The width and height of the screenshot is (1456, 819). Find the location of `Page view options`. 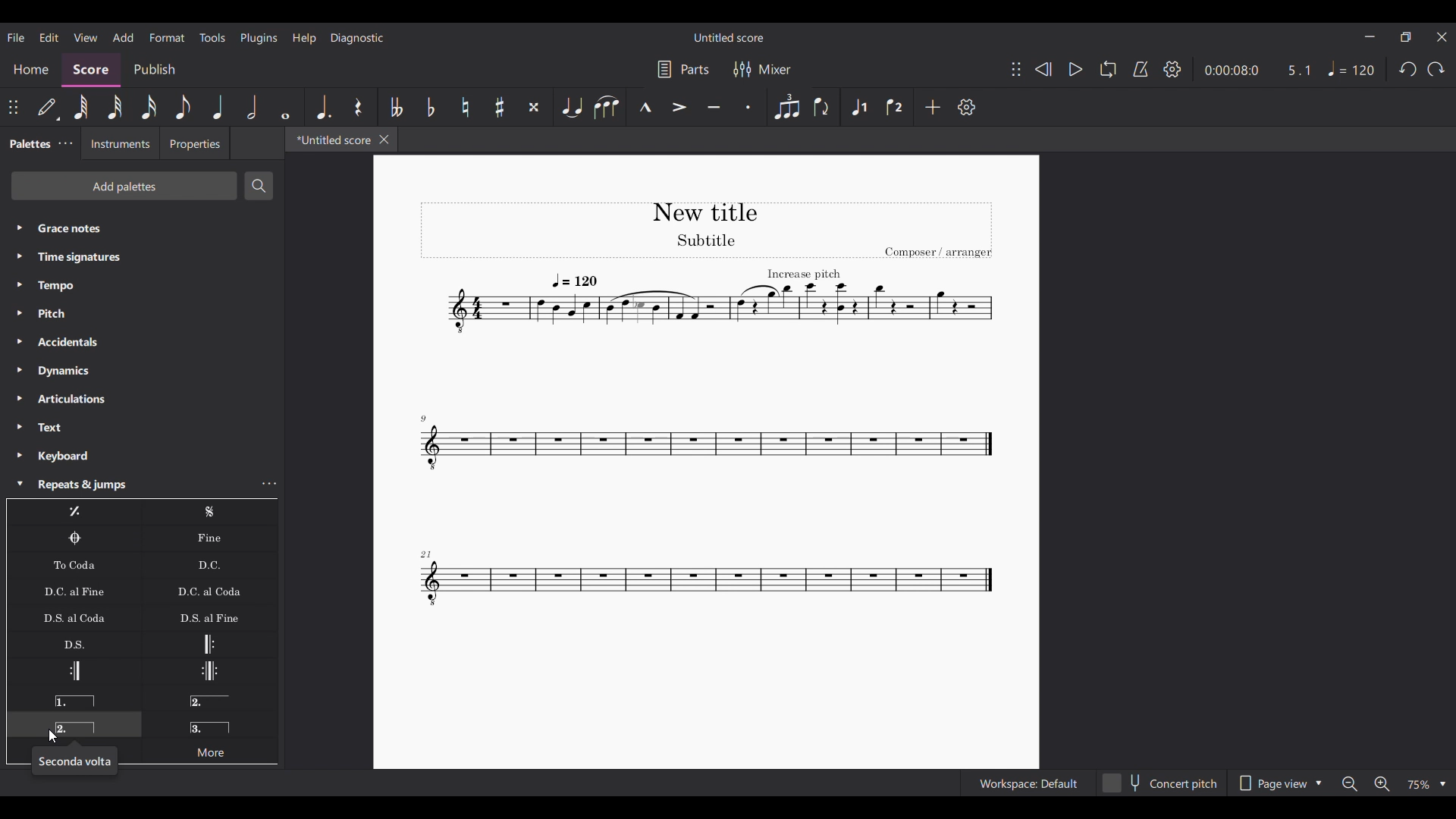

Page view options is located at coordinates (1279, 783).